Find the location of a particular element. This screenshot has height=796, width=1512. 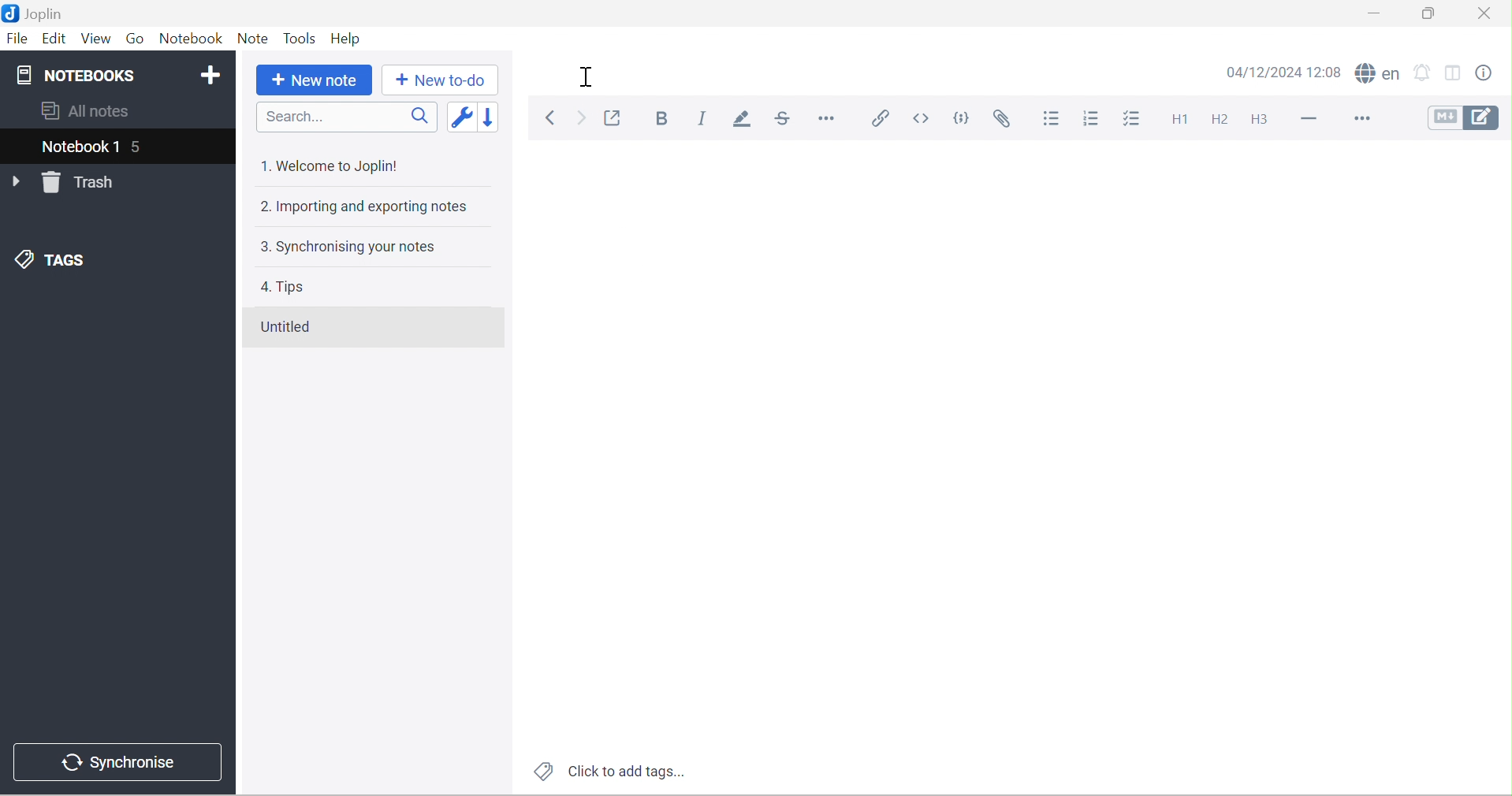

View is located at coordinates (97, 39).